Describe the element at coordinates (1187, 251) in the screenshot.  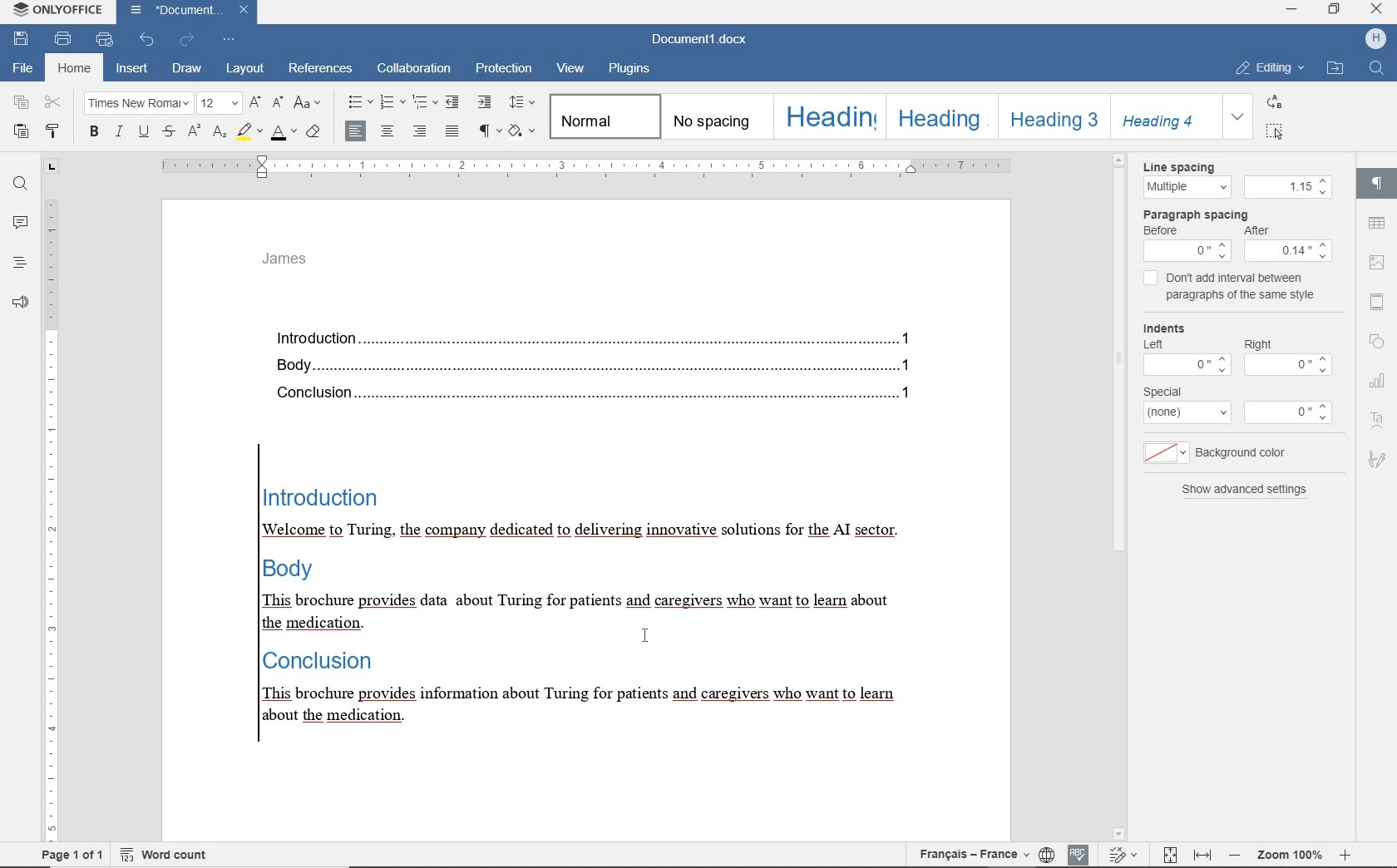
I see `menu` at that location.